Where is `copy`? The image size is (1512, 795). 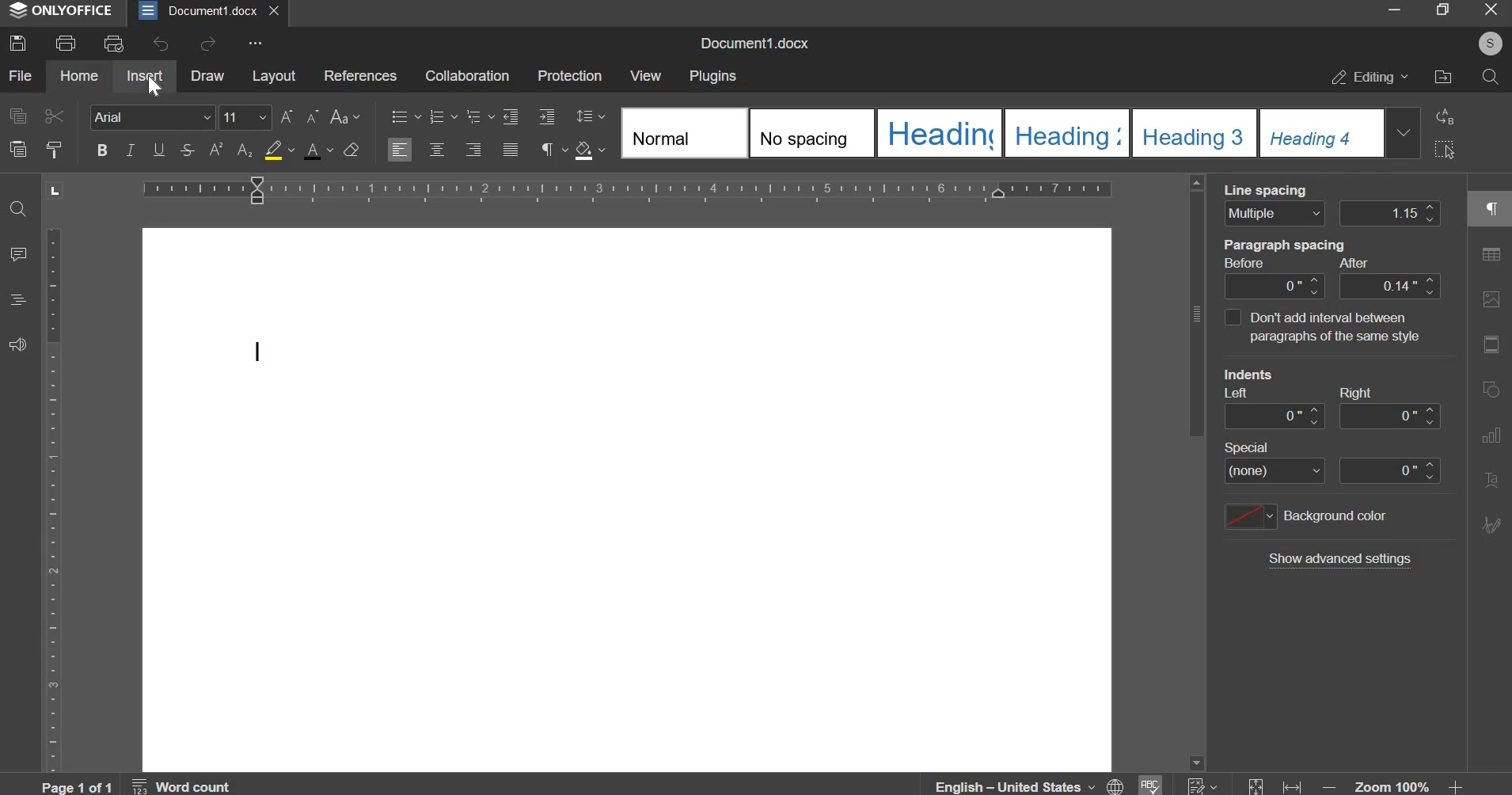 copy is located at coordinates (15, 116).